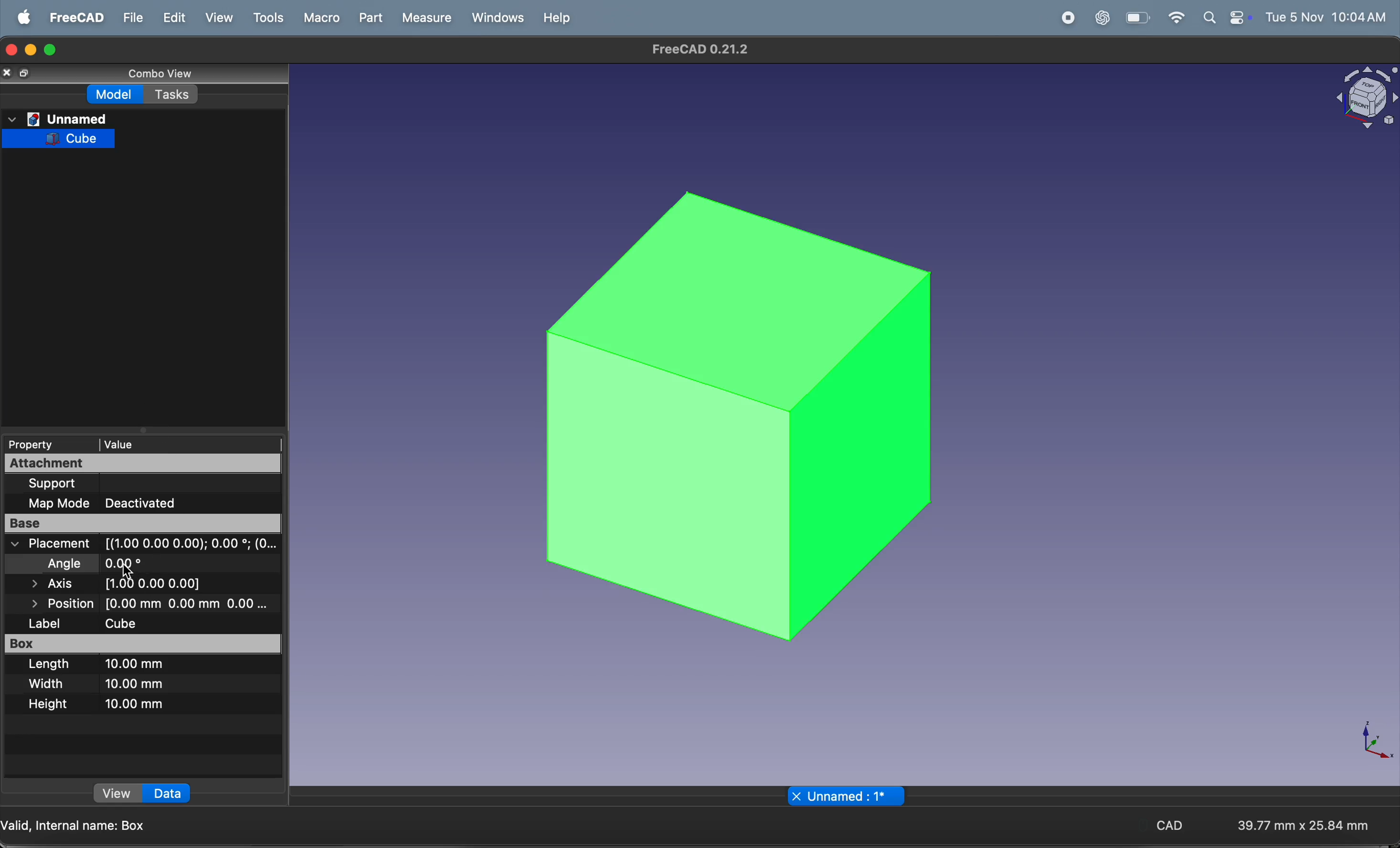 This screenshot has height=848, width=1400. Describe the element at coordinates (174, 95) in the screenshot. I see `Tasks` at that location.